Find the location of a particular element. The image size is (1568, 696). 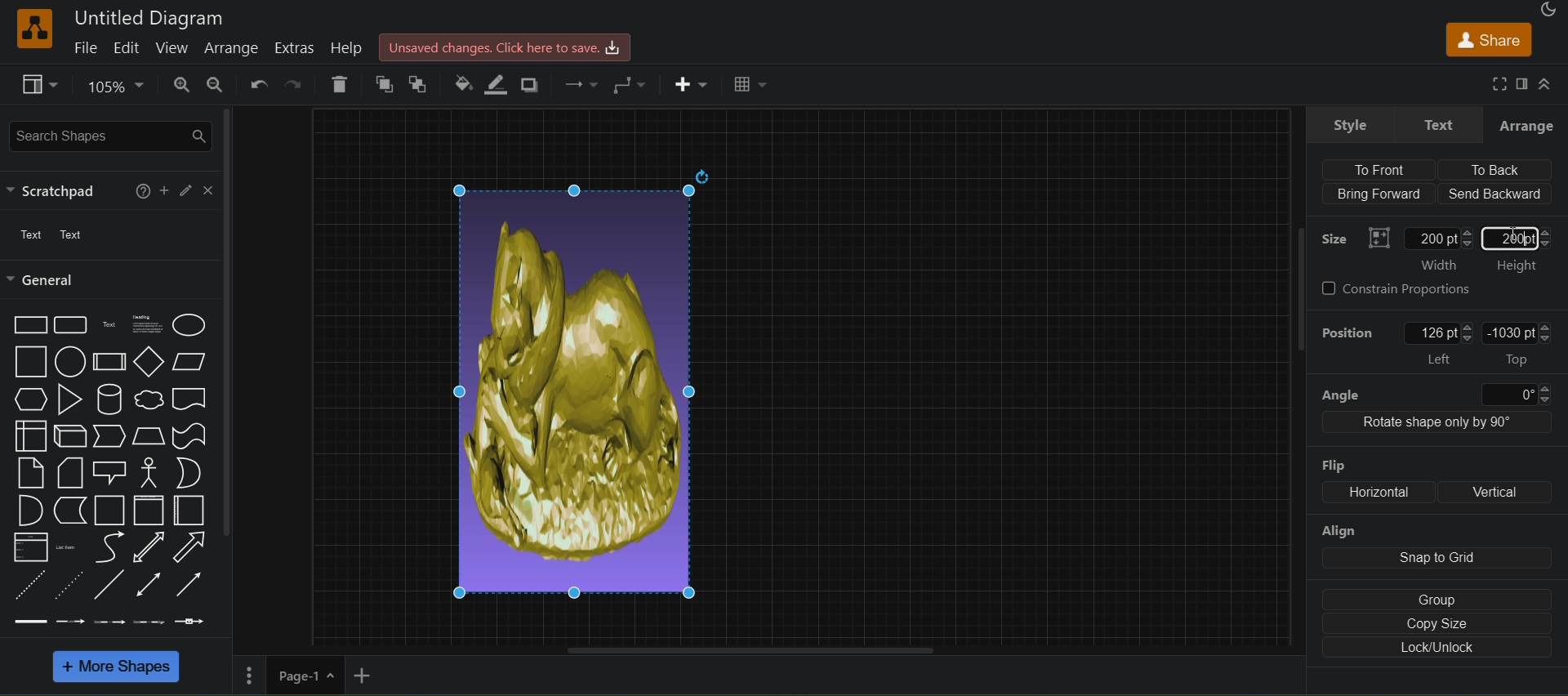

share is located at coordinates (1486, 39).